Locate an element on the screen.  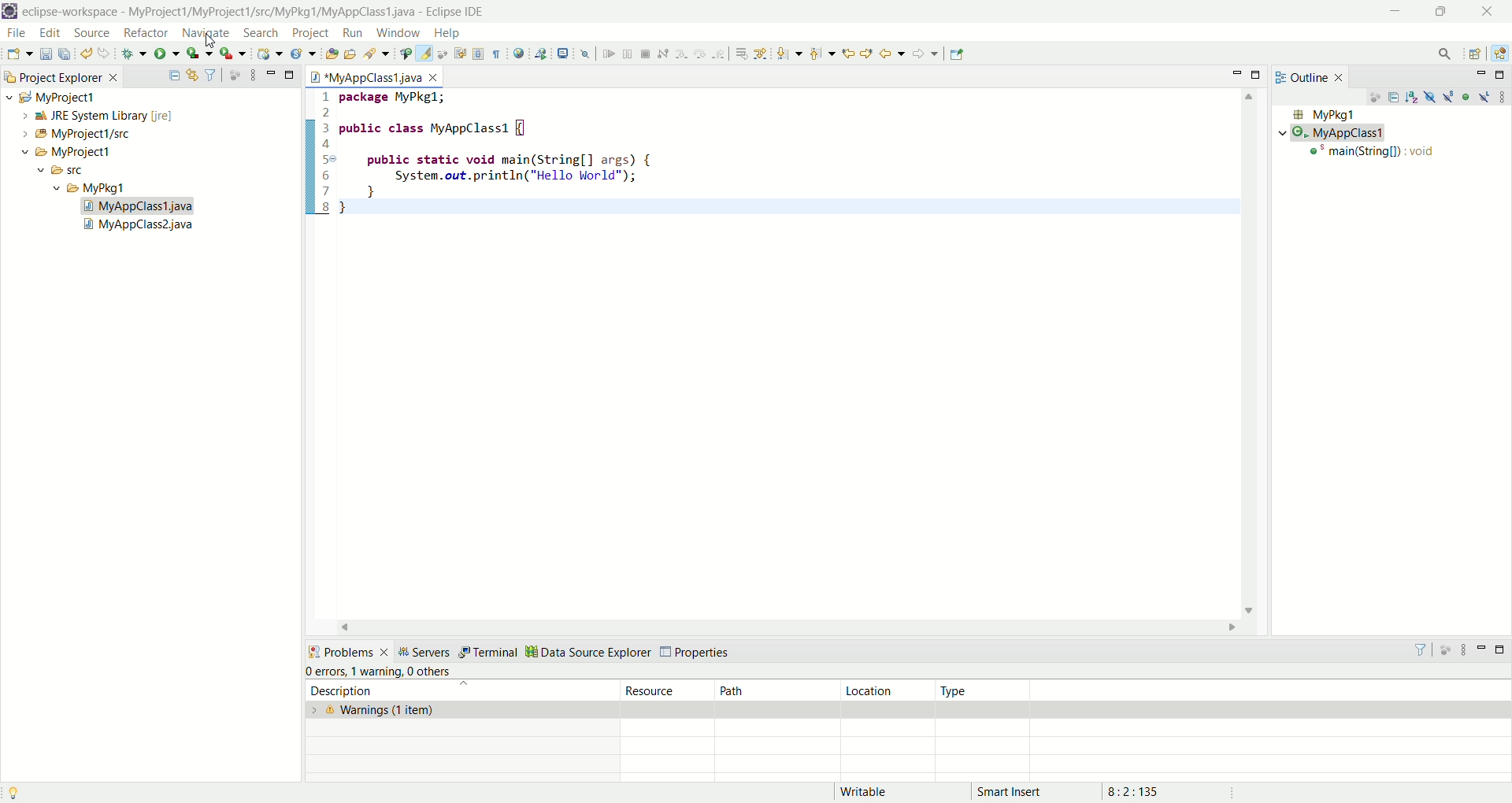
run is located at coordinates (168, 54).